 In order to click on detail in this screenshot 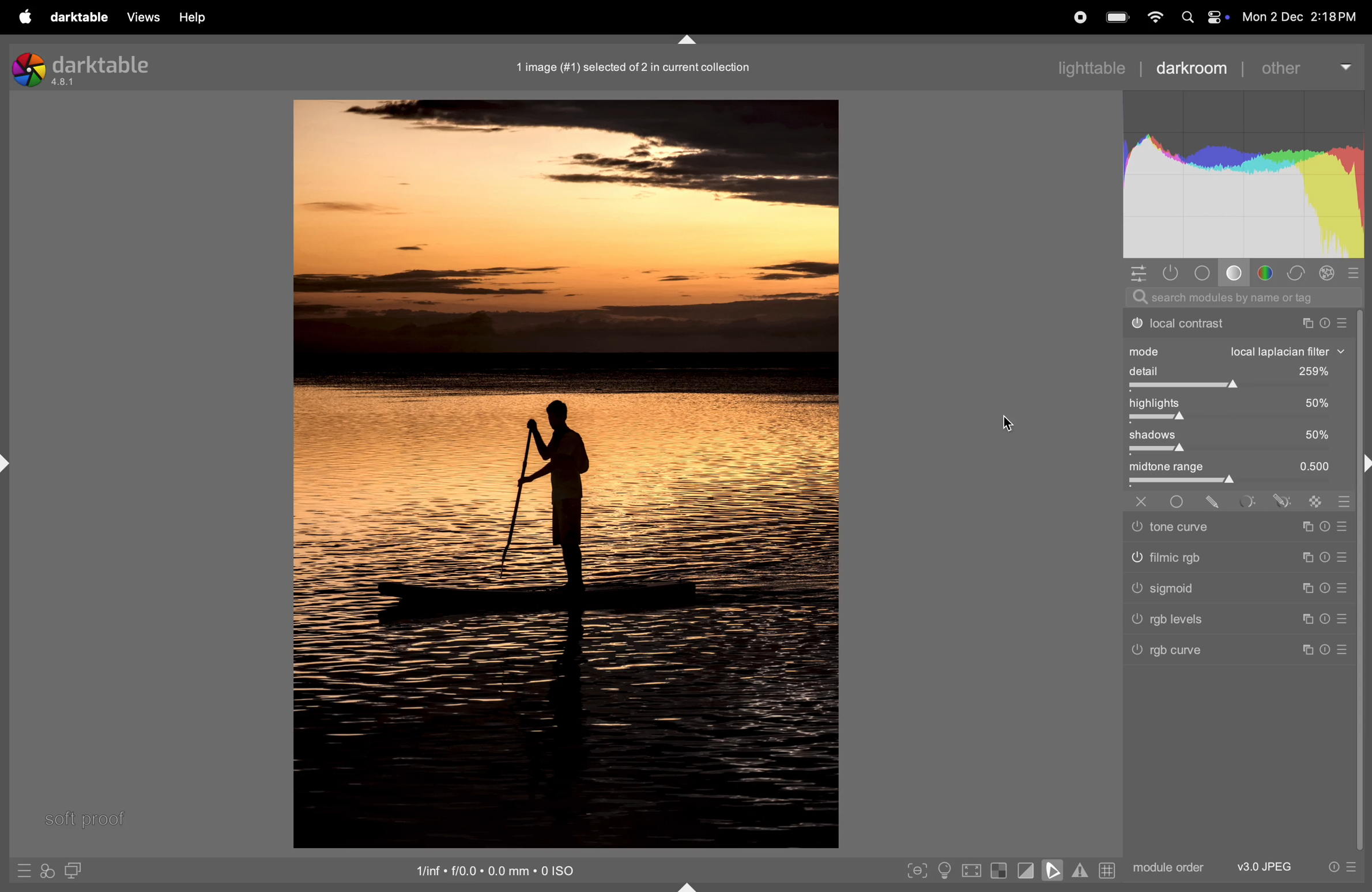, I will do `click(1235, 370)`.